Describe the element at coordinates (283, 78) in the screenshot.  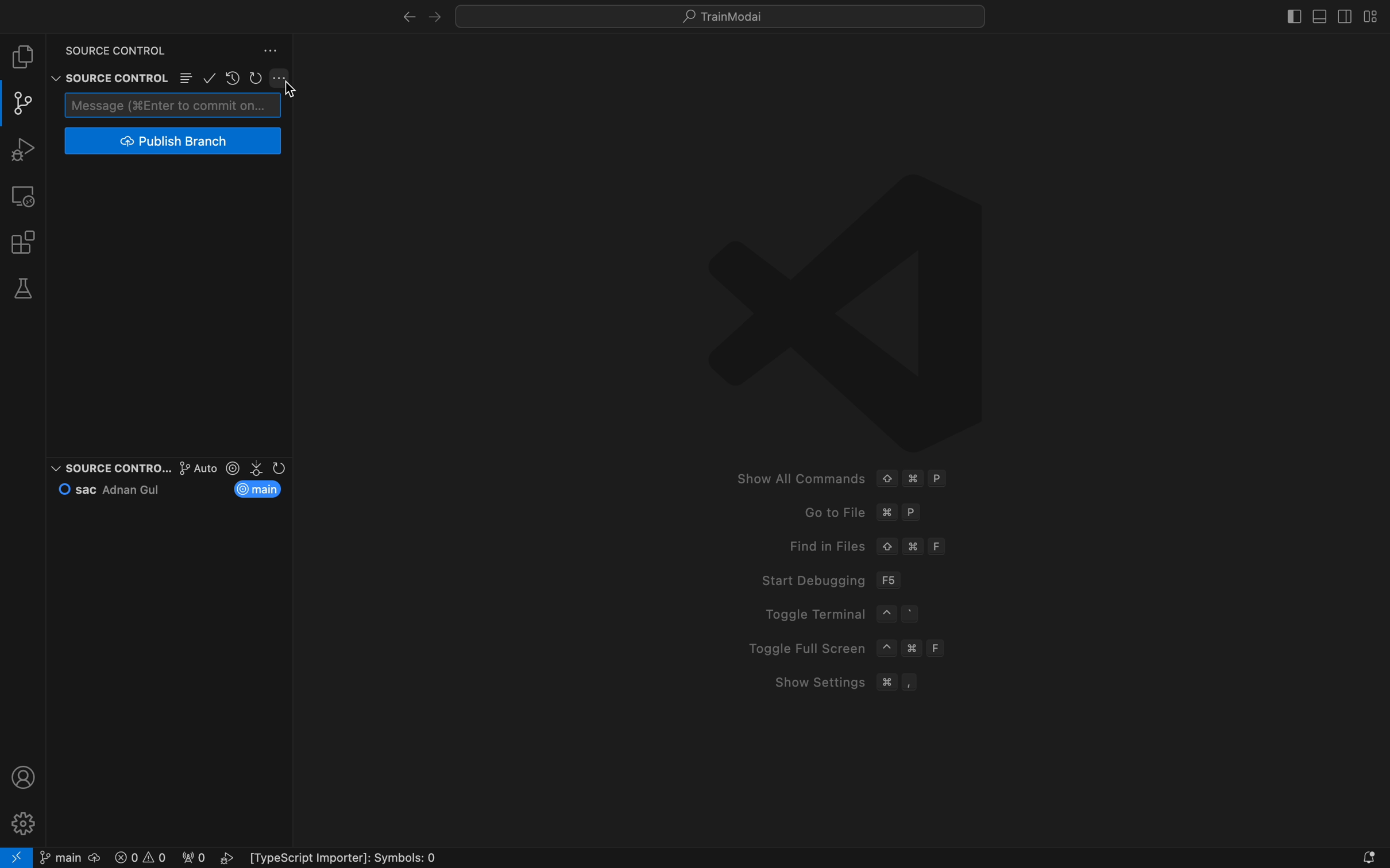
I see `` at that location.